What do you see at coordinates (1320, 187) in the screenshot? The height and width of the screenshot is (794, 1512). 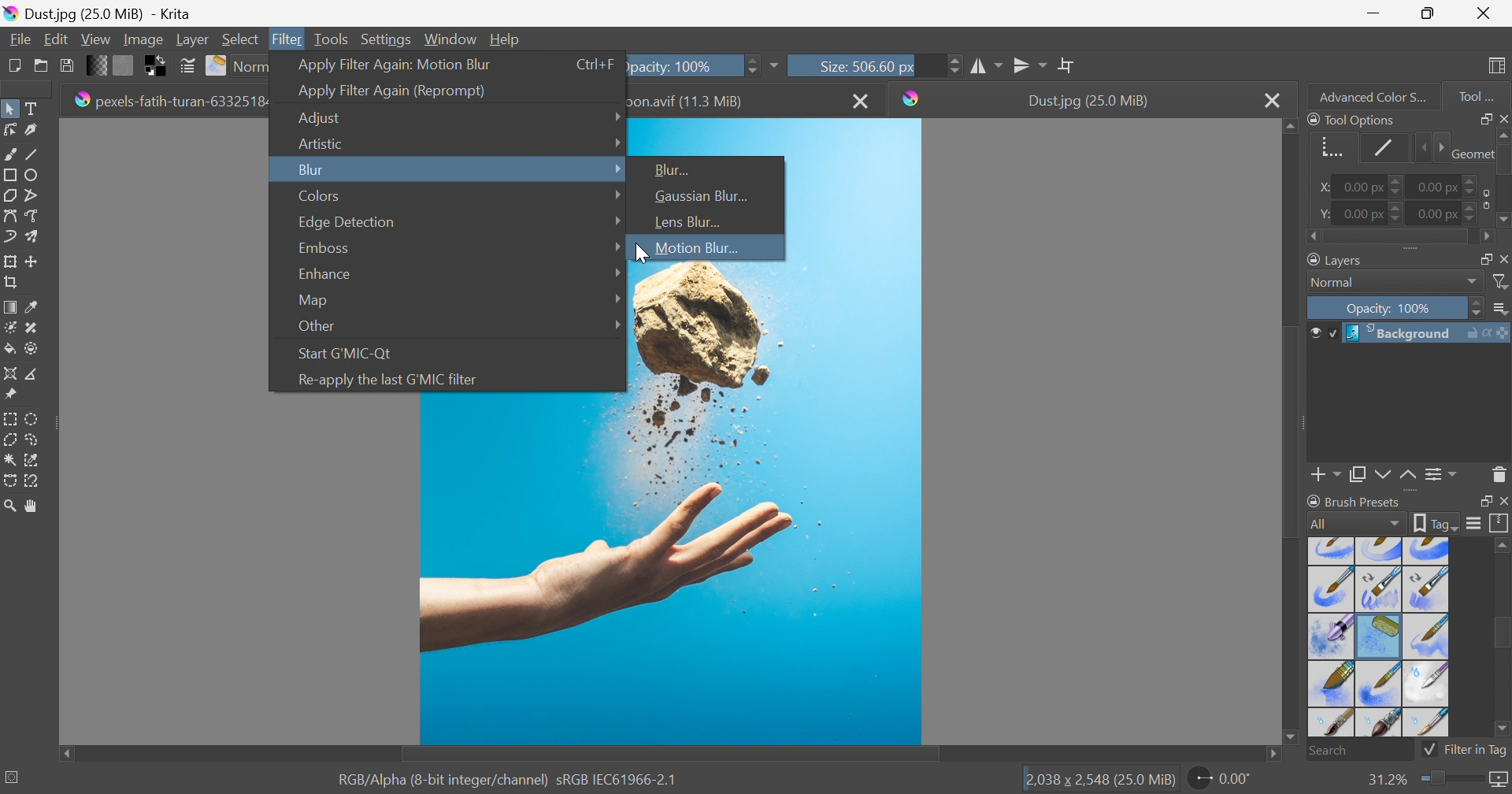 I see `X:` at bounding box center [1320, 187].